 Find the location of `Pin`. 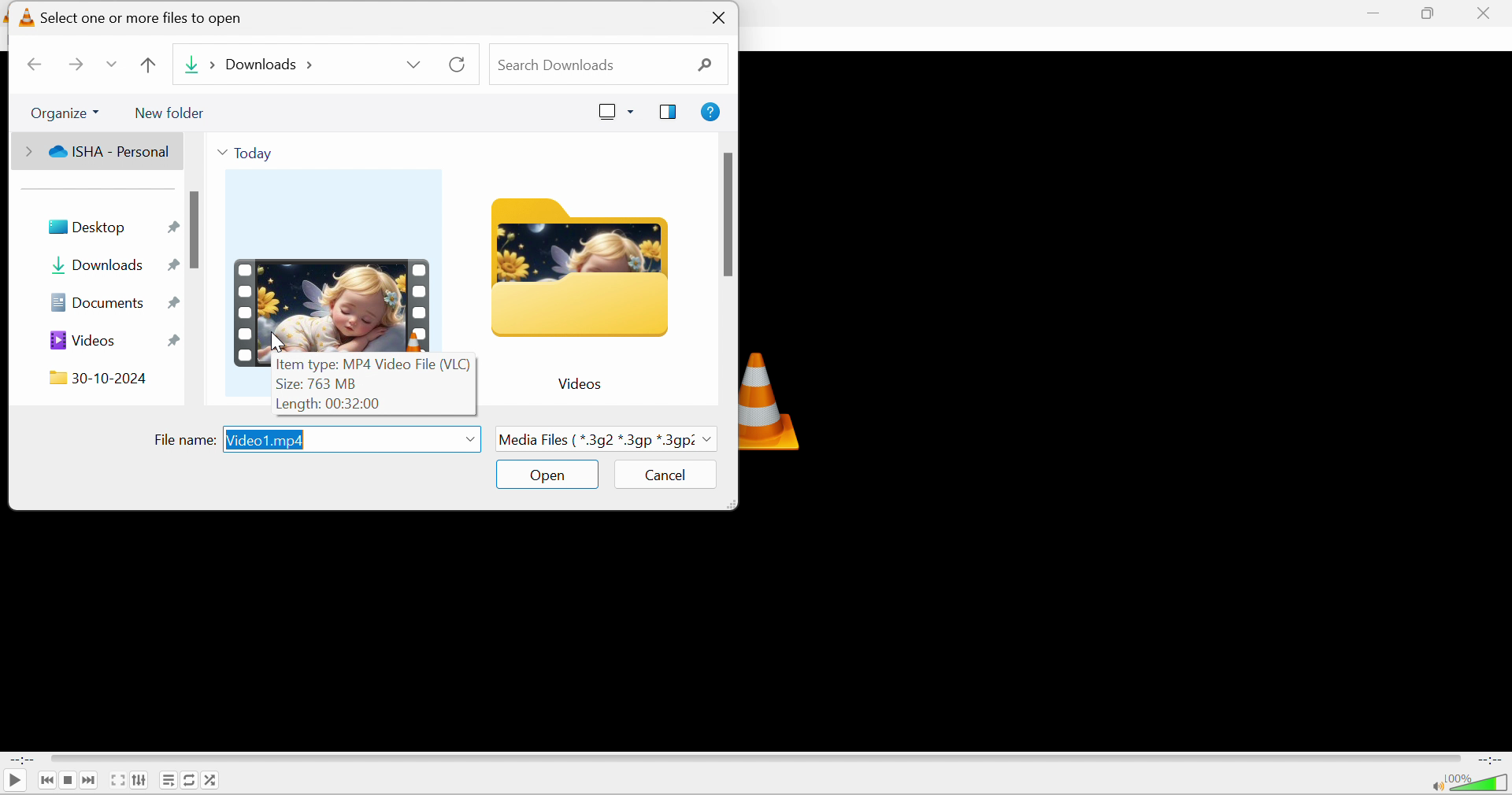

Pin is located at coordinates (172, 263).